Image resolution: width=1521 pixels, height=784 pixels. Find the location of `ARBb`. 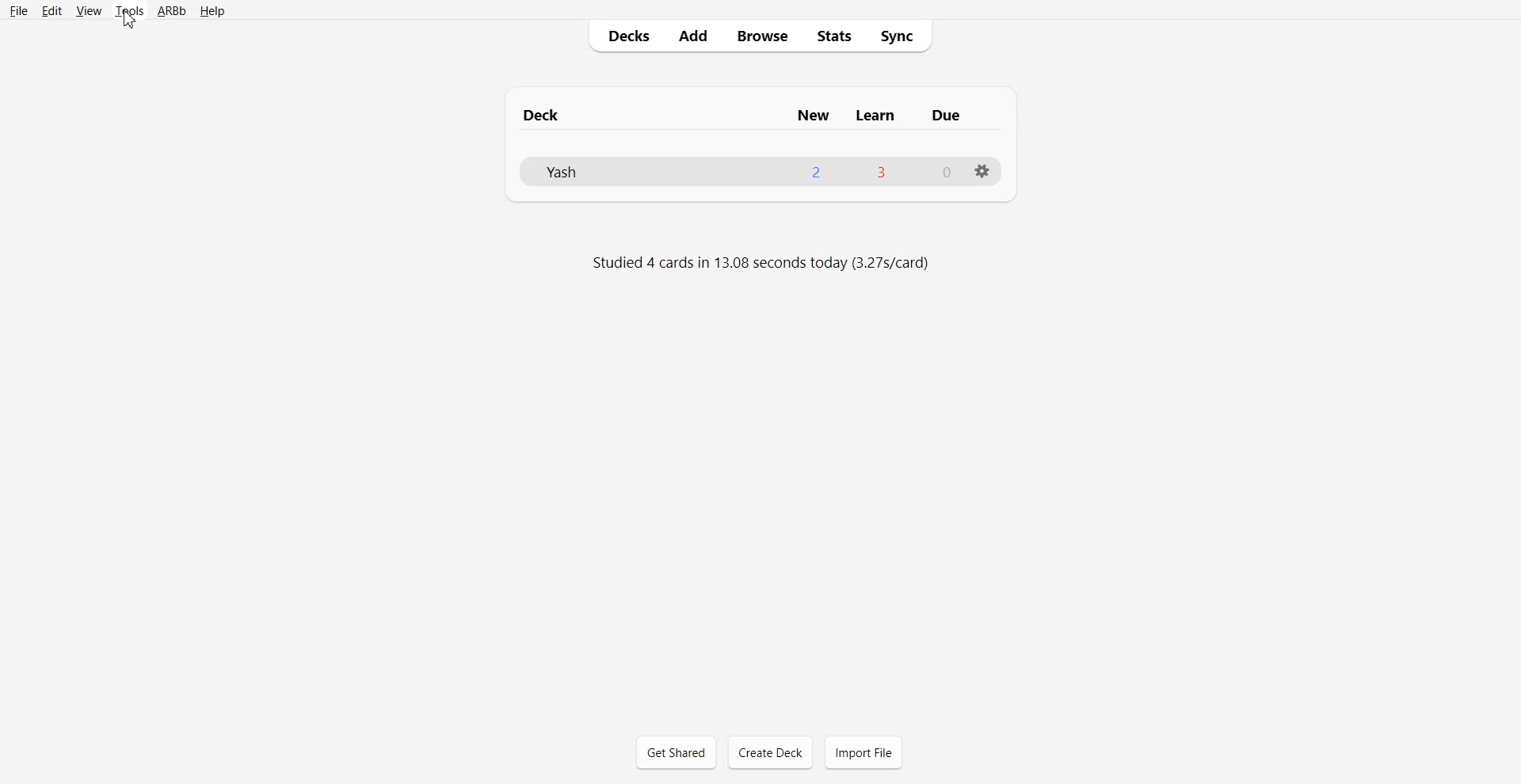

ARBb is located at coordinates (171, 10).